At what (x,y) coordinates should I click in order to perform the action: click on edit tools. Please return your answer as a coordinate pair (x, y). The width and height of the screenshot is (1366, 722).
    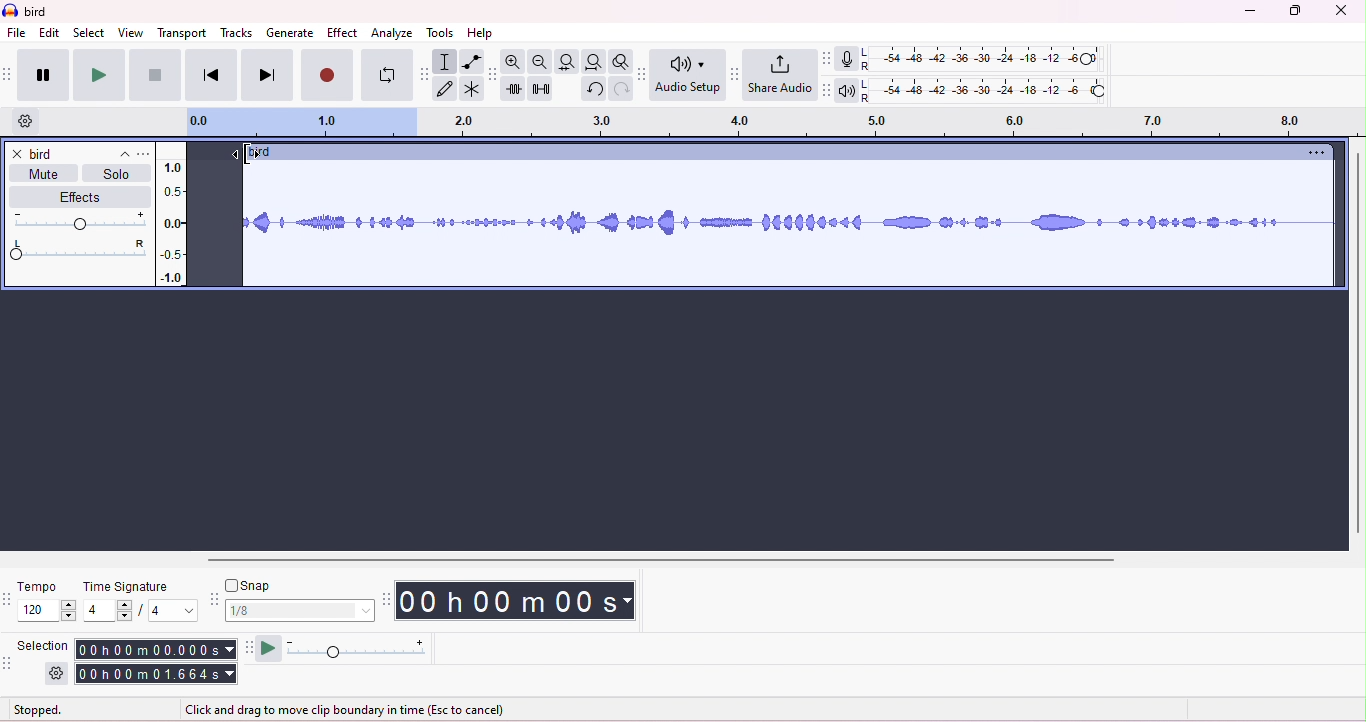
    Looking at the image, I should click on (492, 73).